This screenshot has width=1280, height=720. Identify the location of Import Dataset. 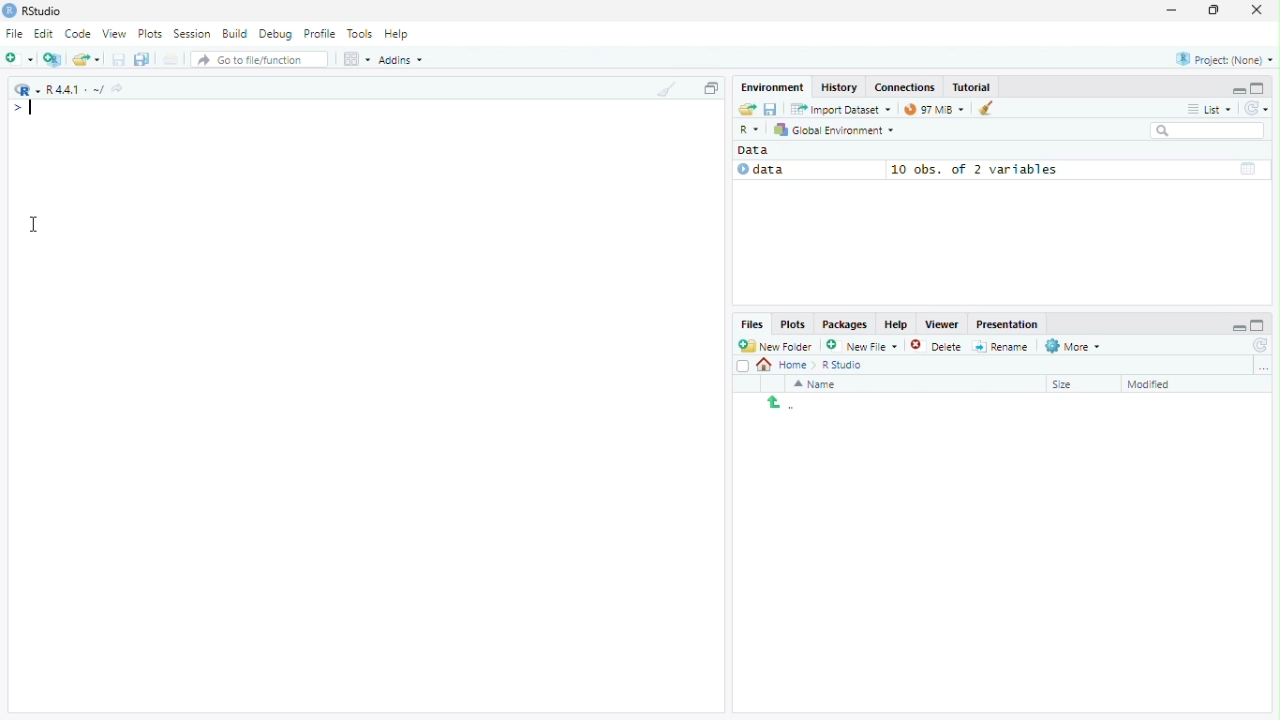
(840, 110).